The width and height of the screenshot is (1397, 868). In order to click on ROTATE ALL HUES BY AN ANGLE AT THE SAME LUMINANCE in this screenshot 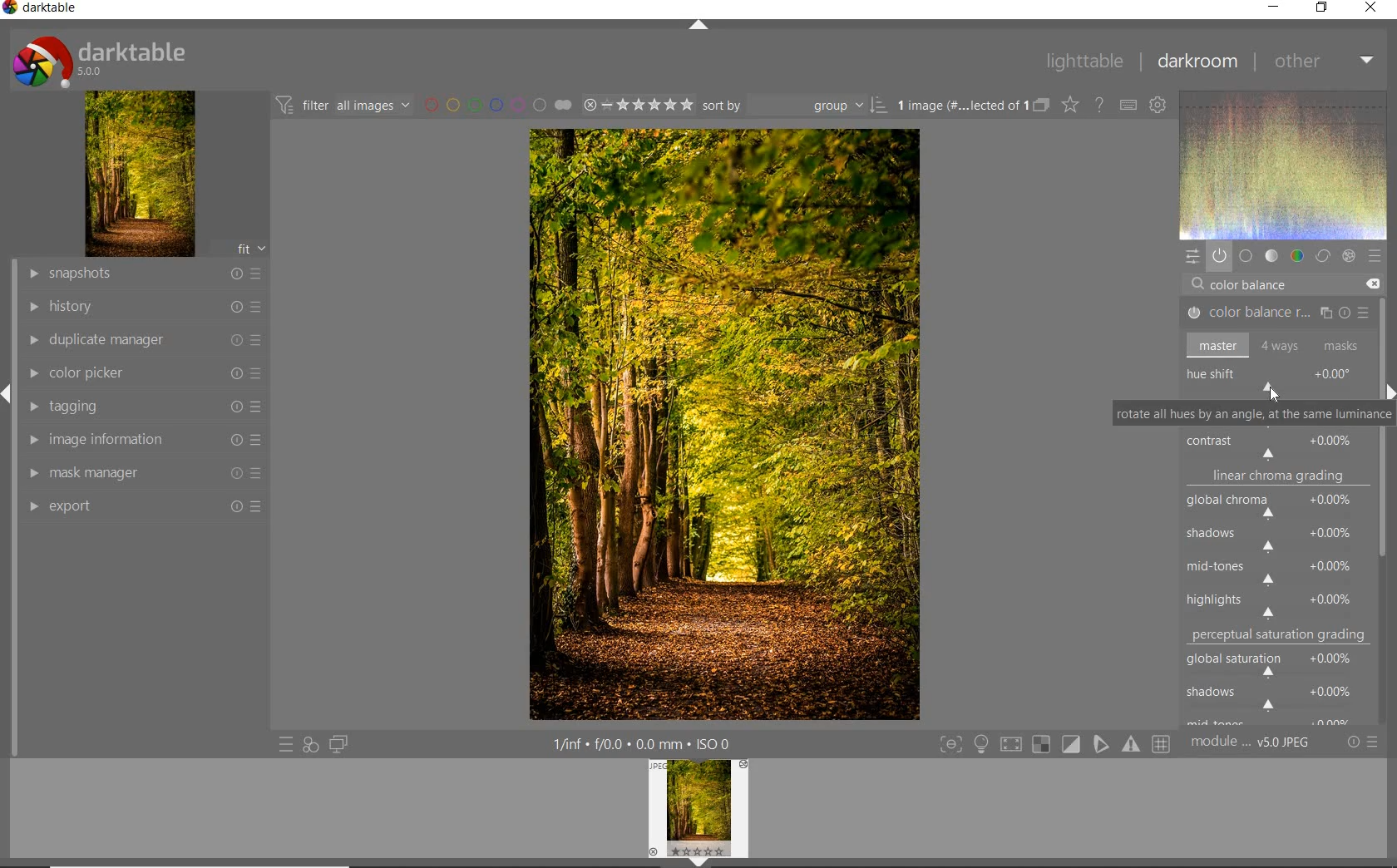, I will do `click(1252, 412)`.